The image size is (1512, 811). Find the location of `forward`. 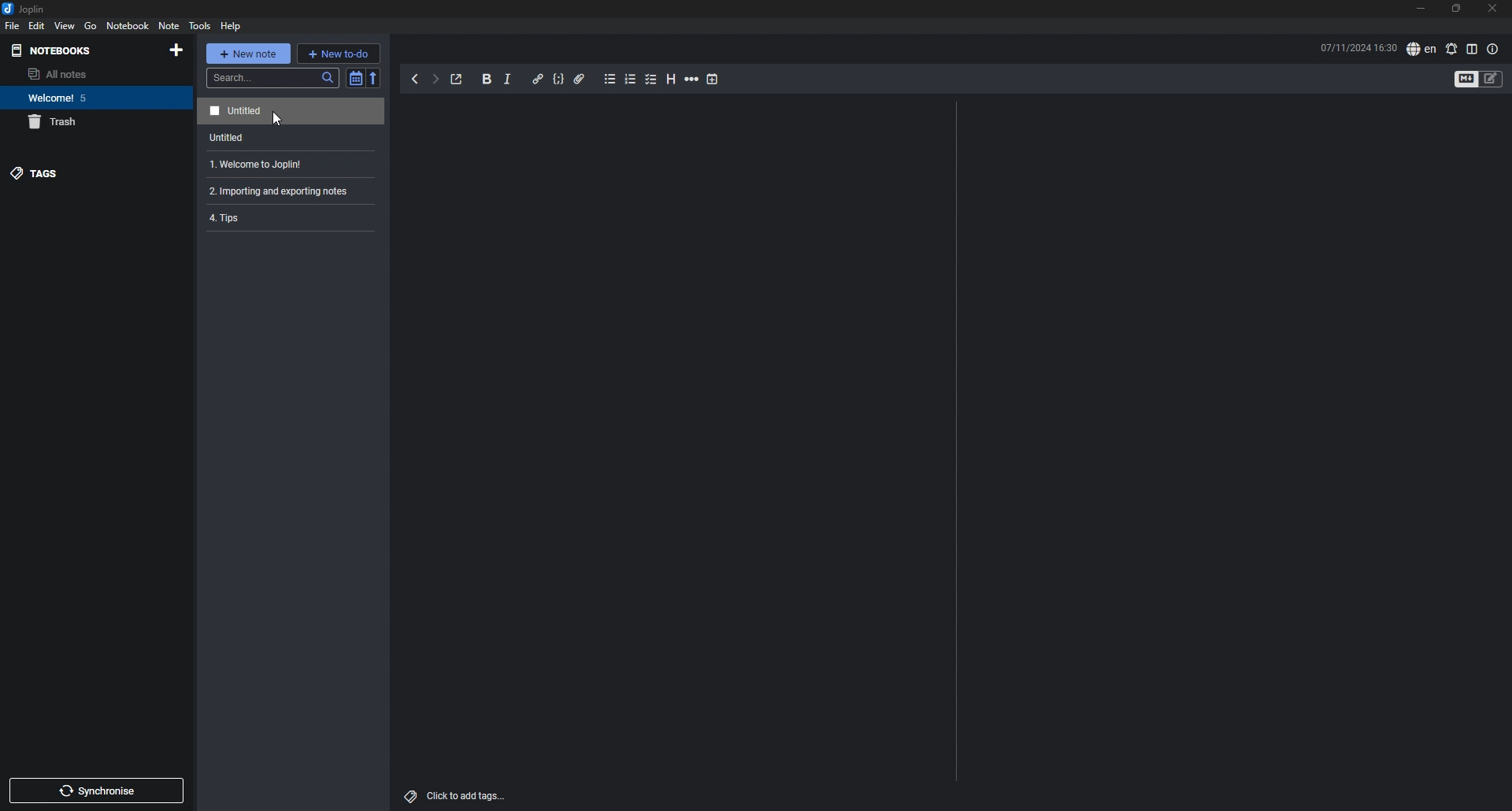

forward is located at coordinates (435, 81).